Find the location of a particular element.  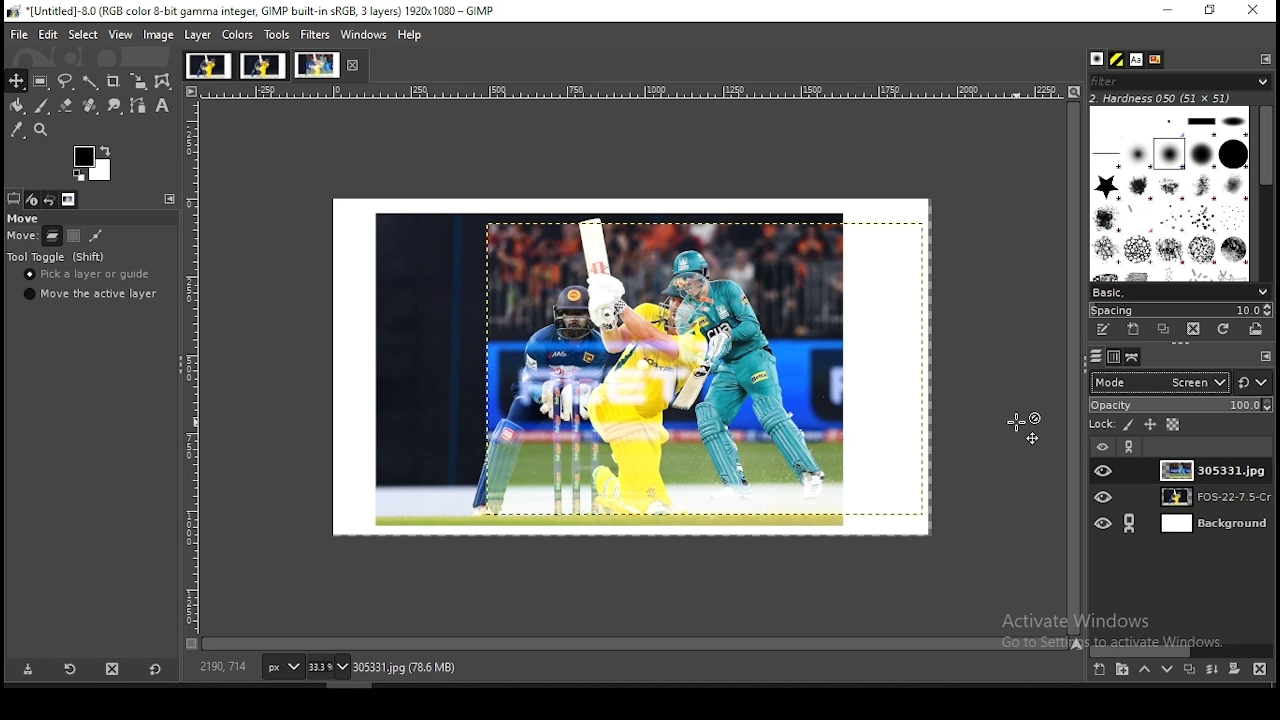

configure this tab is located at coordinates (1265, 356).